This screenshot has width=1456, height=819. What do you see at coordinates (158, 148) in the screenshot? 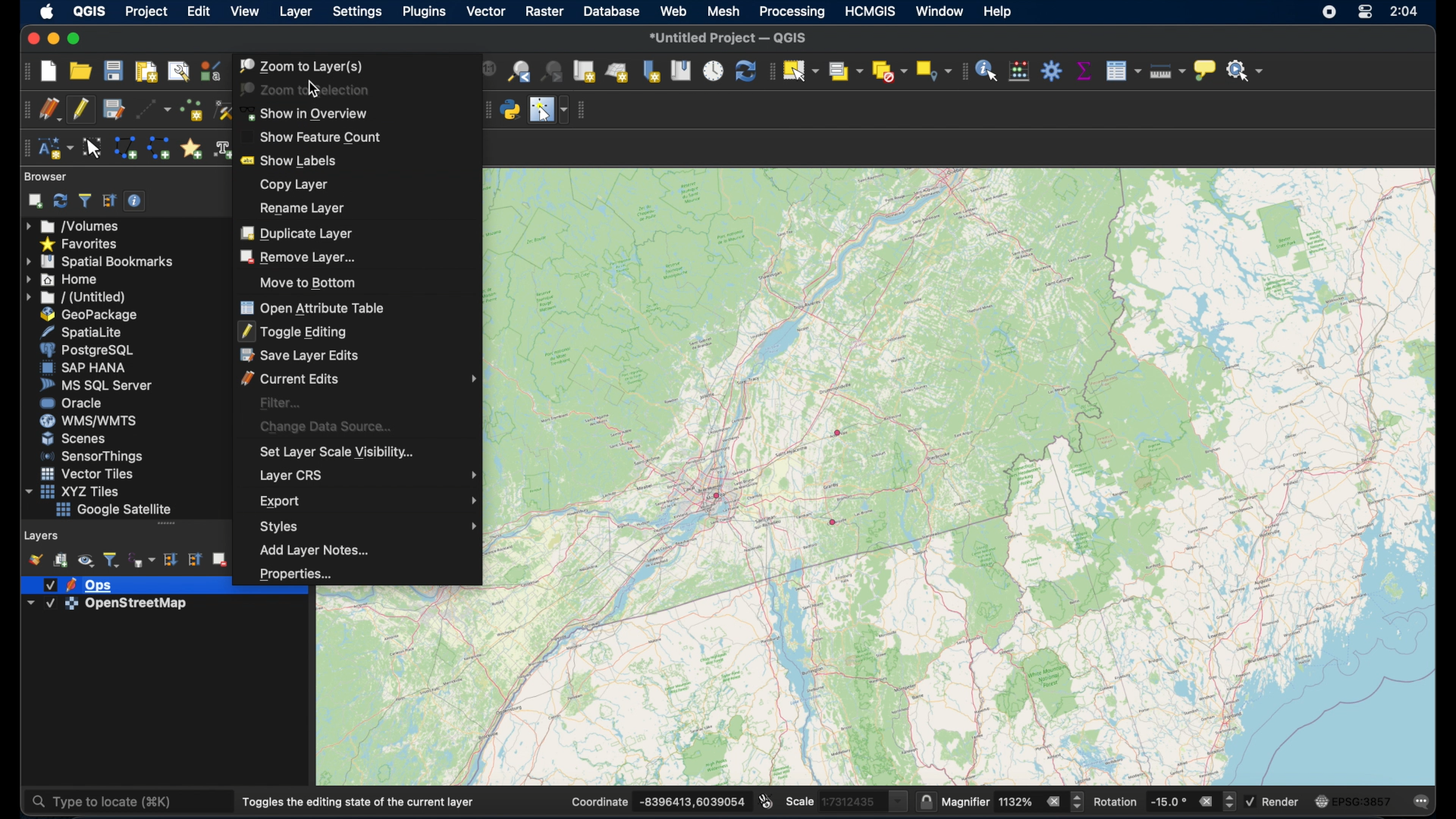
I see `create line annotation` at bounding box center [158, 148].